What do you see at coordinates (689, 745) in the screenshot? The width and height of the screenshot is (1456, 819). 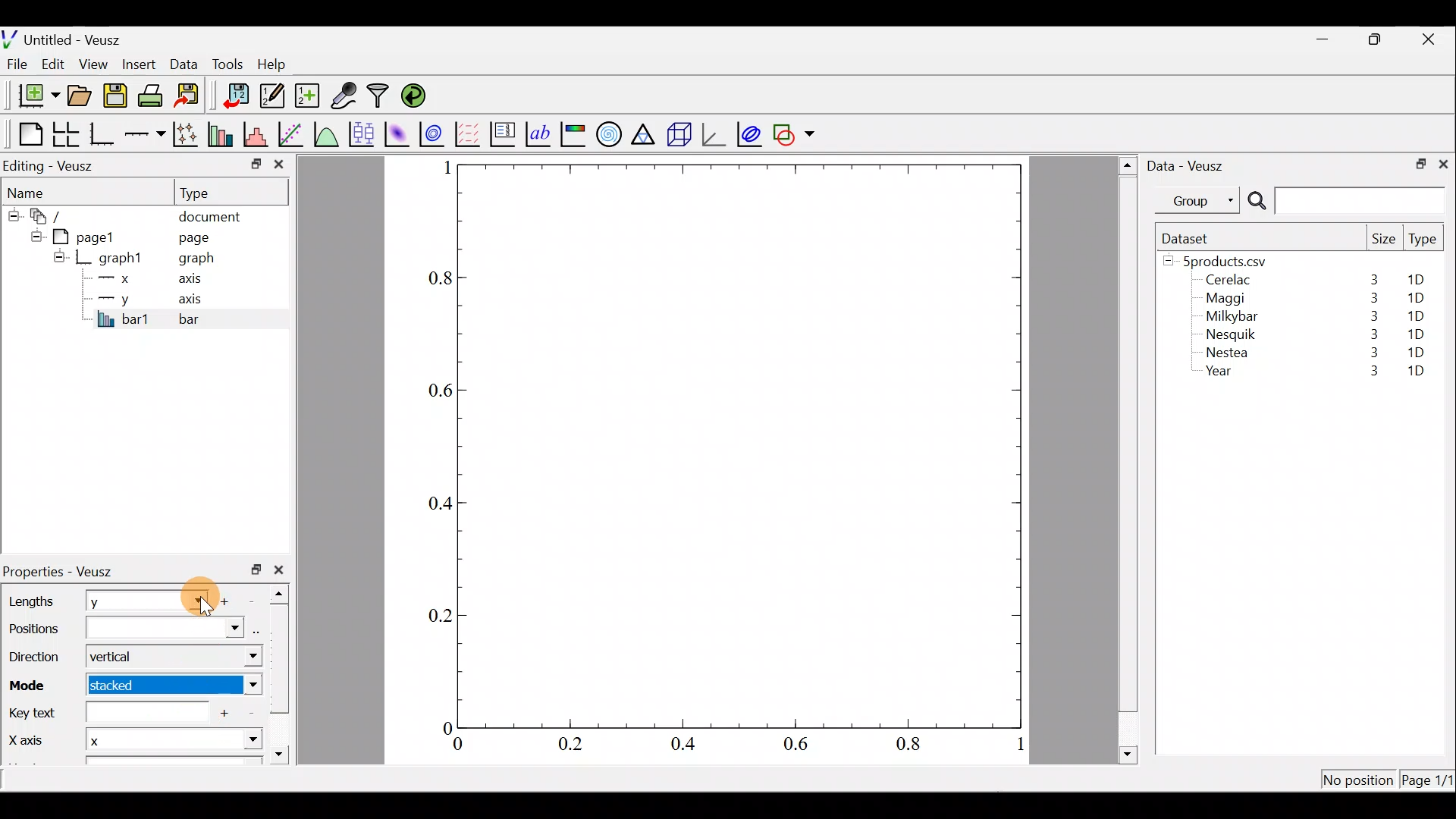 I see `0.4` at bounding box center [689, 745].